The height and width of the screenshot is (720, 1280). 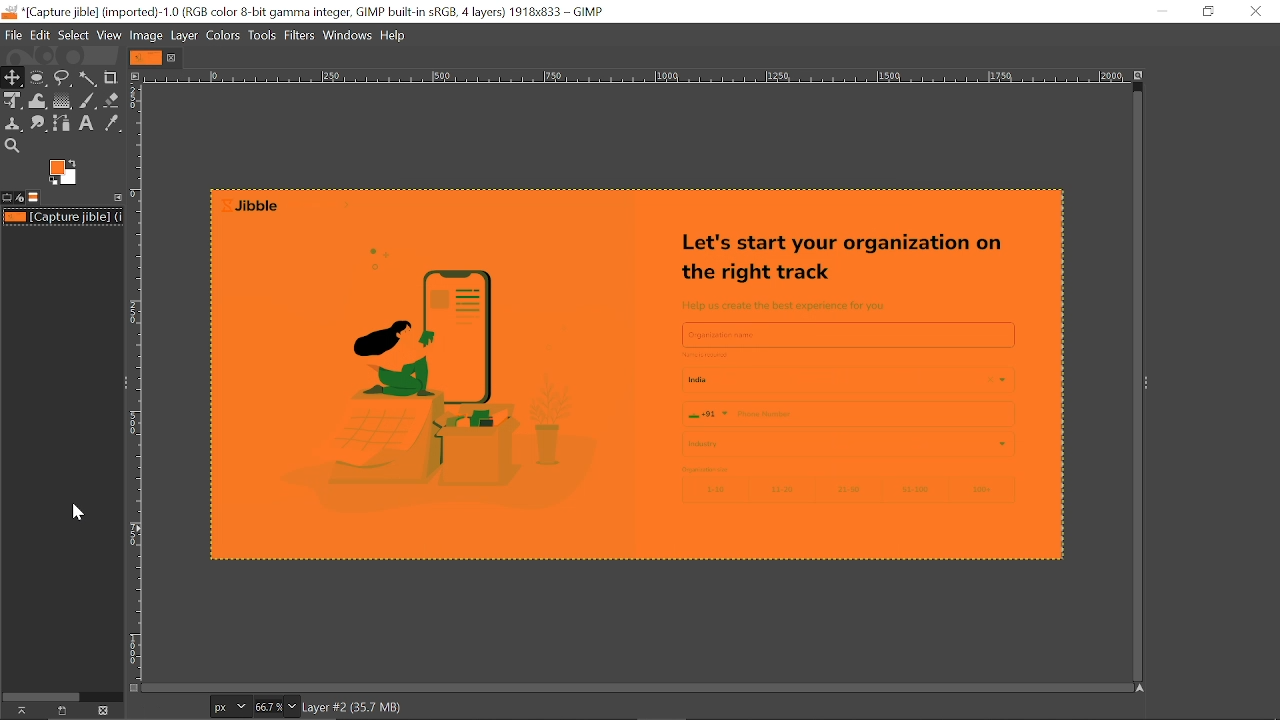 What do you see at coordinates (64, 217) in the screenshot?
I see `Current image` at bounding box center [64, 217].